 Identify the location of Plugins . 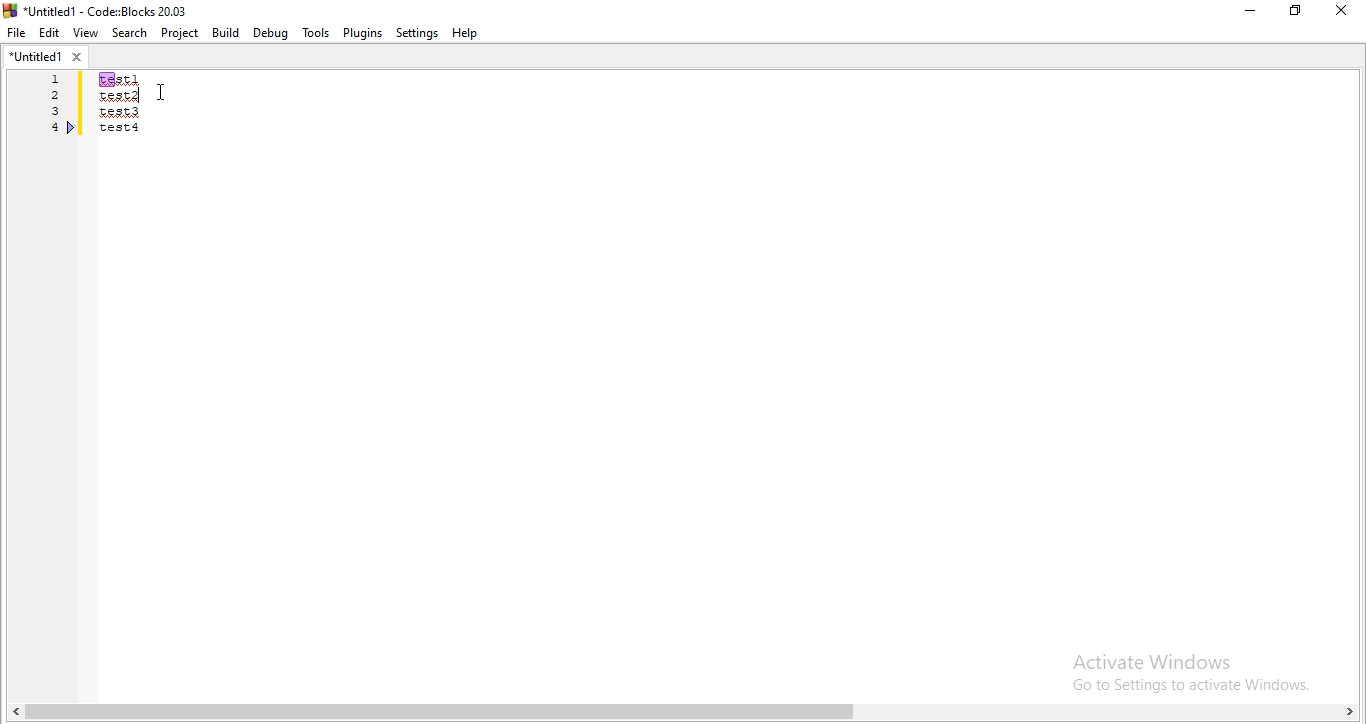
(362, 32).